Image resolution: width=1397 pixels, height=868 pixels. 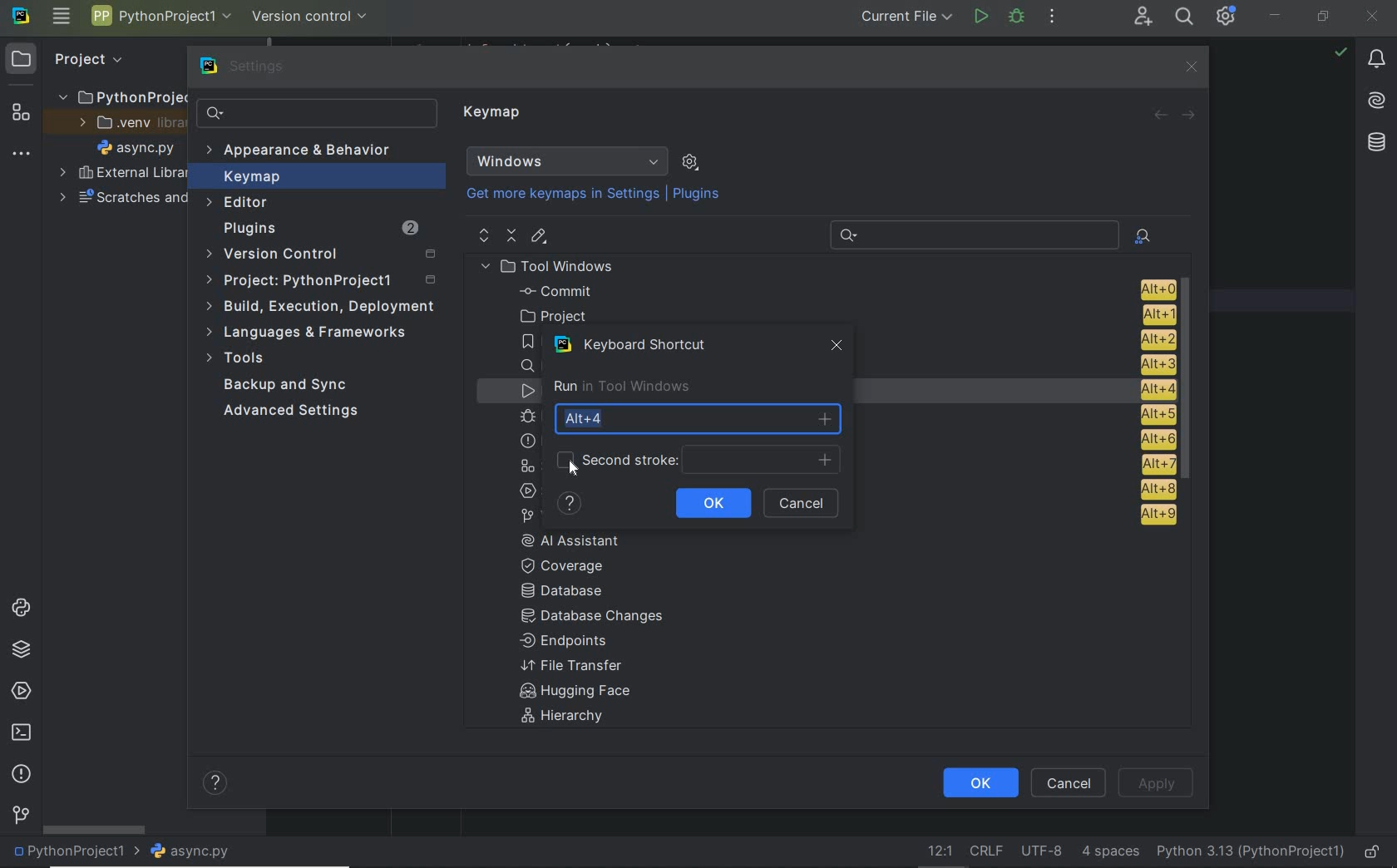 What do you see at coordinates (324, 281) in the screenshot?
I see `Project` at bounding box center [324, 281].